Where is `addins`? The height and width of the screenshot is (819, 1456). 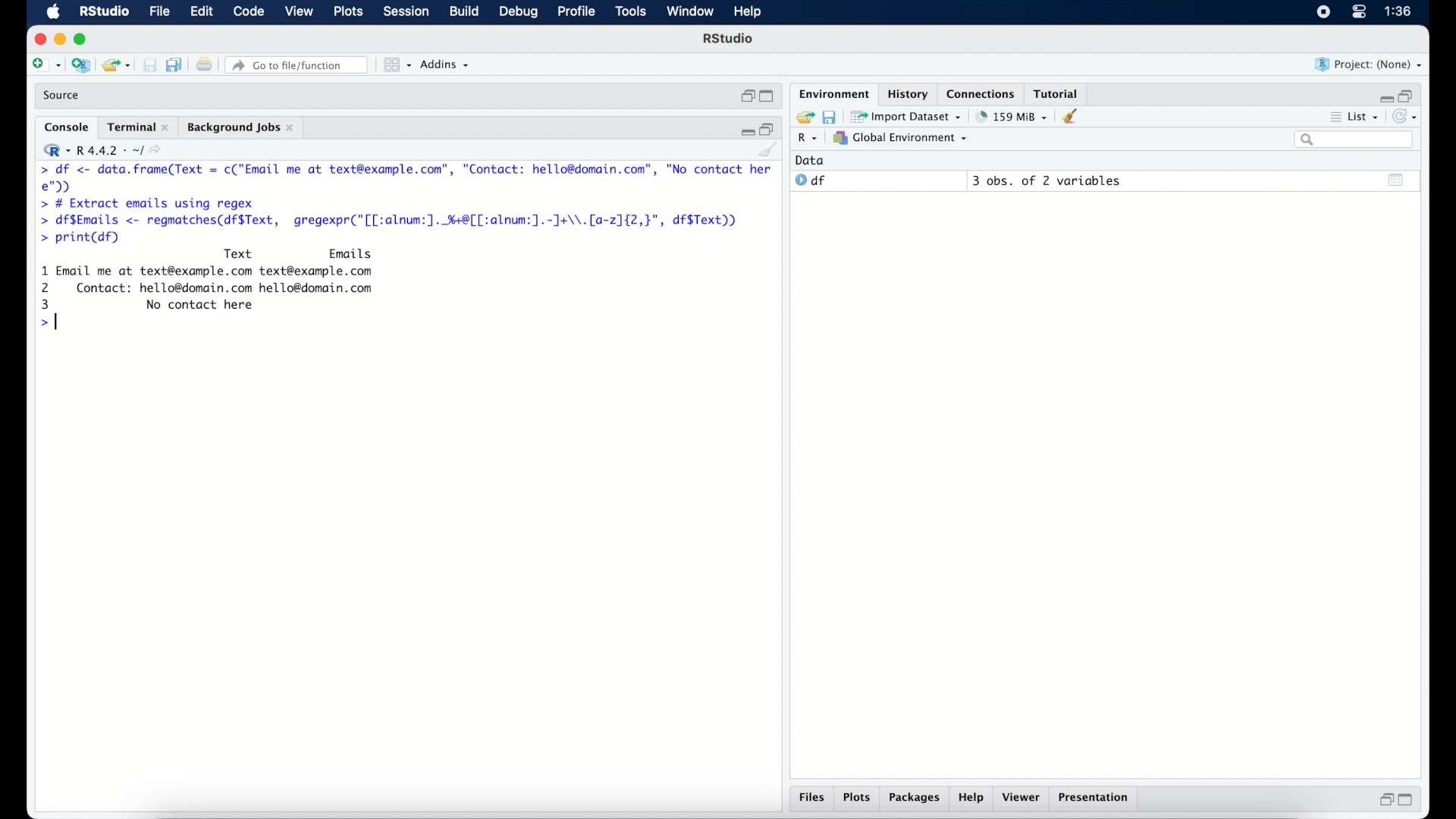
addins is located at coordinates (446, 65).